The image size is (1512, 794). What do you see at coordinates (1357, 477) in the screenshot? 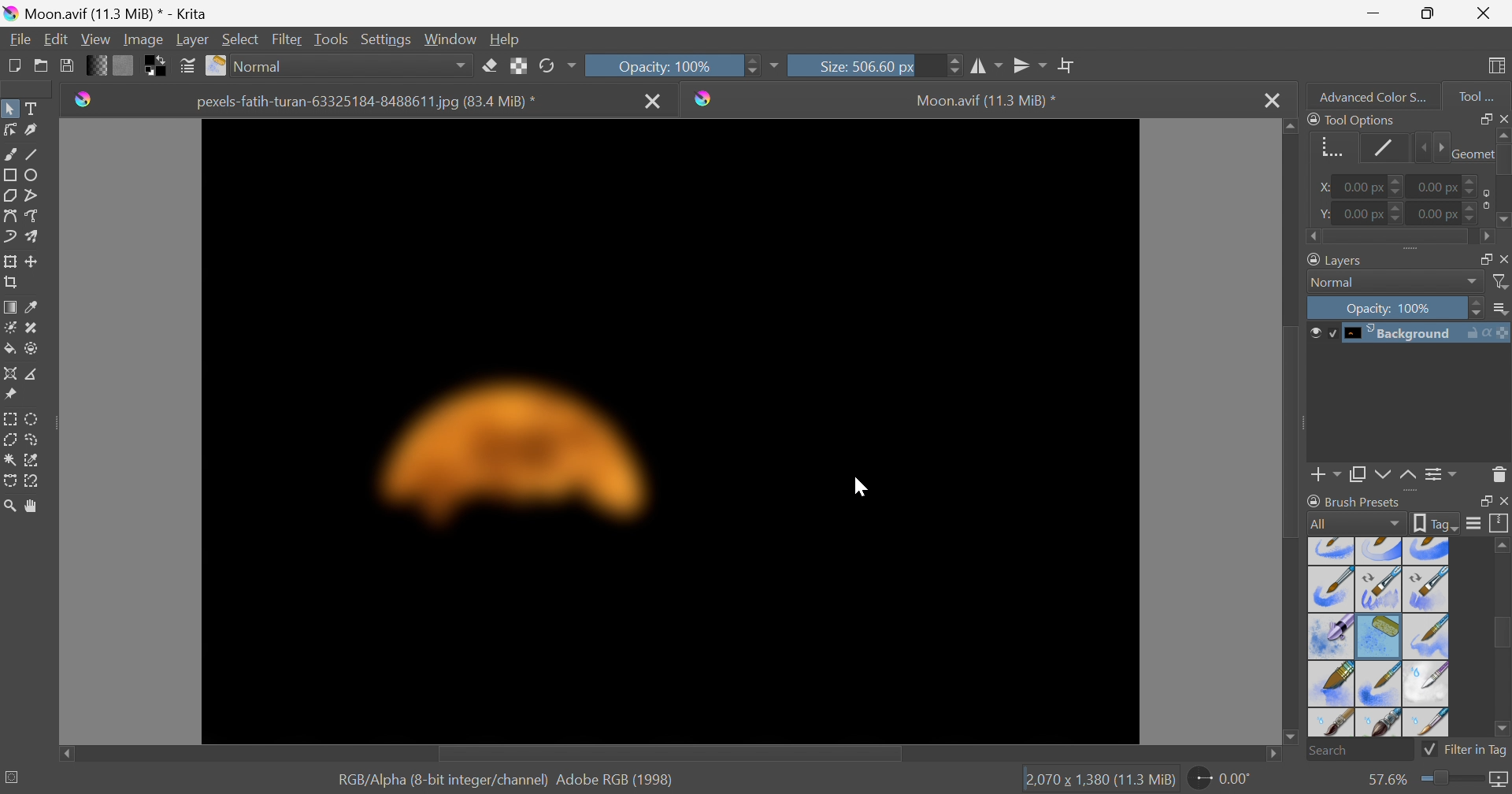
I see `Duplicate layer or mask down` at bounding box center [1357, 477].